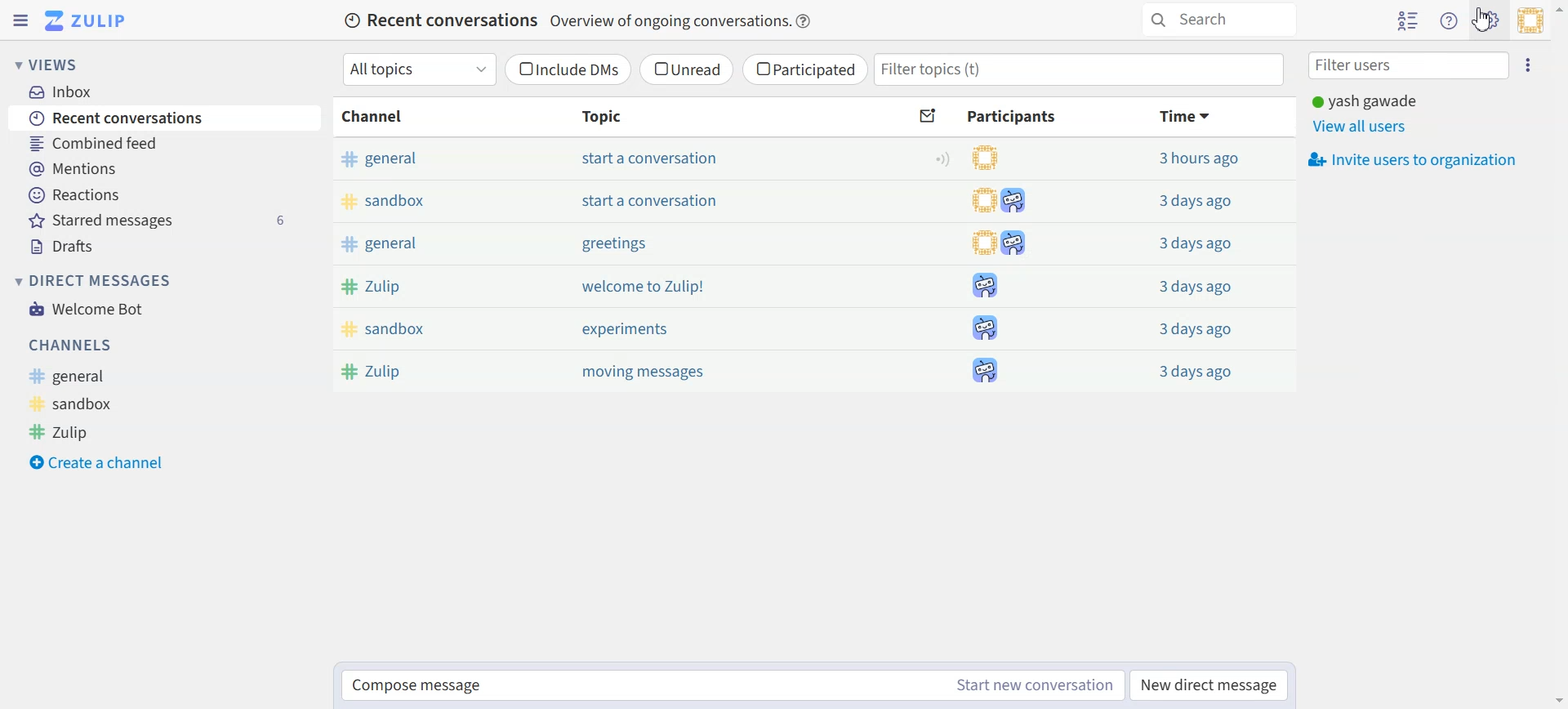 This screenshot has width=1568, height=709. Describe the element at coordinates (998, 200) in the screenshot. I see `participants` at that location.